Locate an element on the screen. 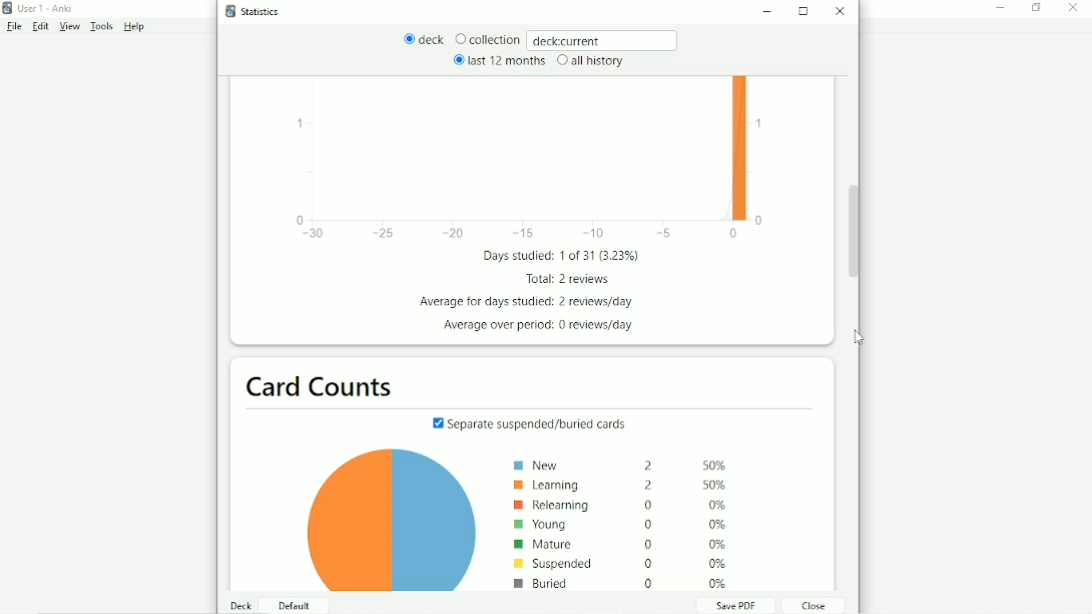  Cursor is located at coordinates (859, 338).